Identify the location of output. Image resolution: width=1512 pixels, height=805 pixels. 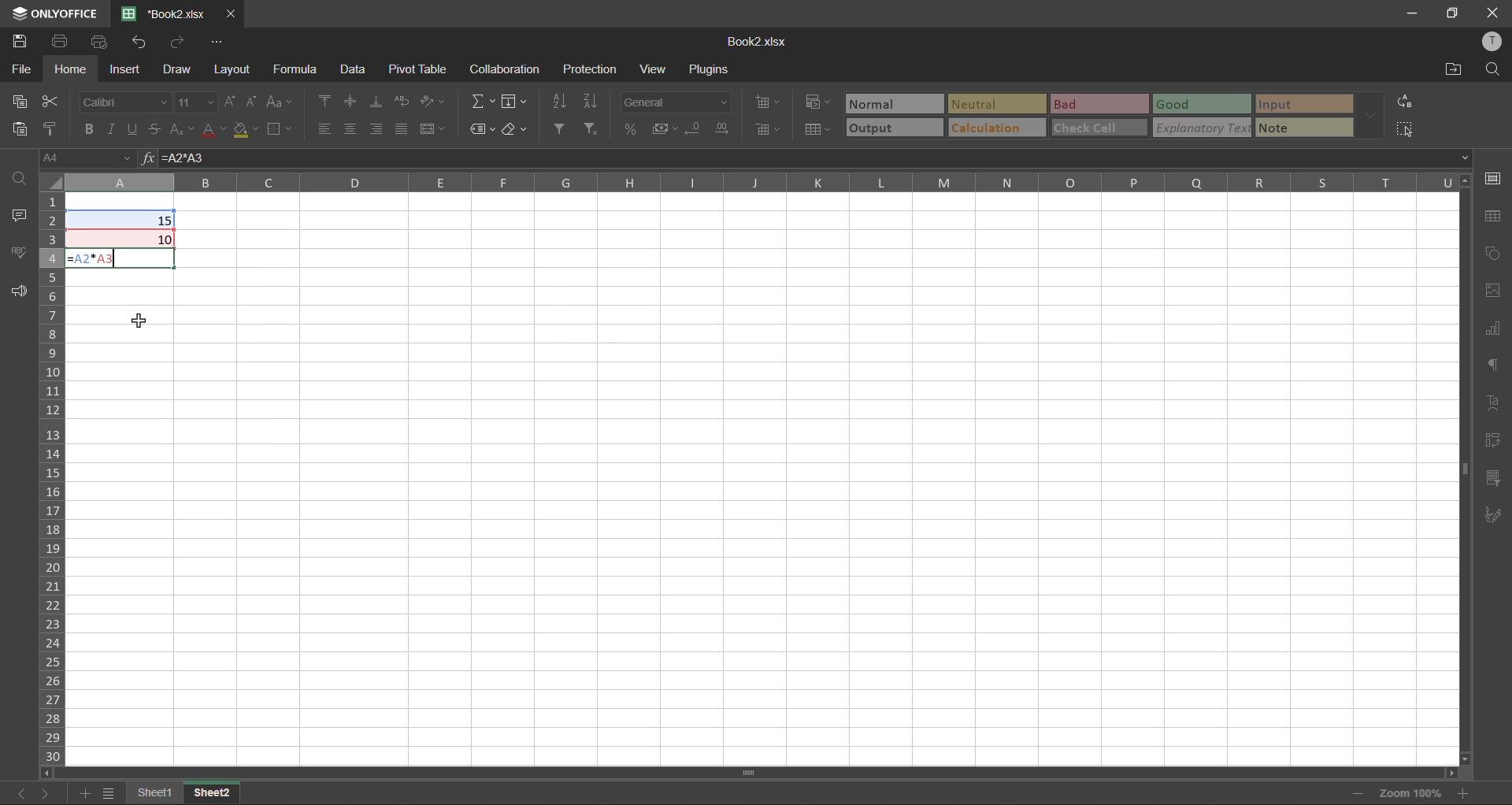
(895, 127).